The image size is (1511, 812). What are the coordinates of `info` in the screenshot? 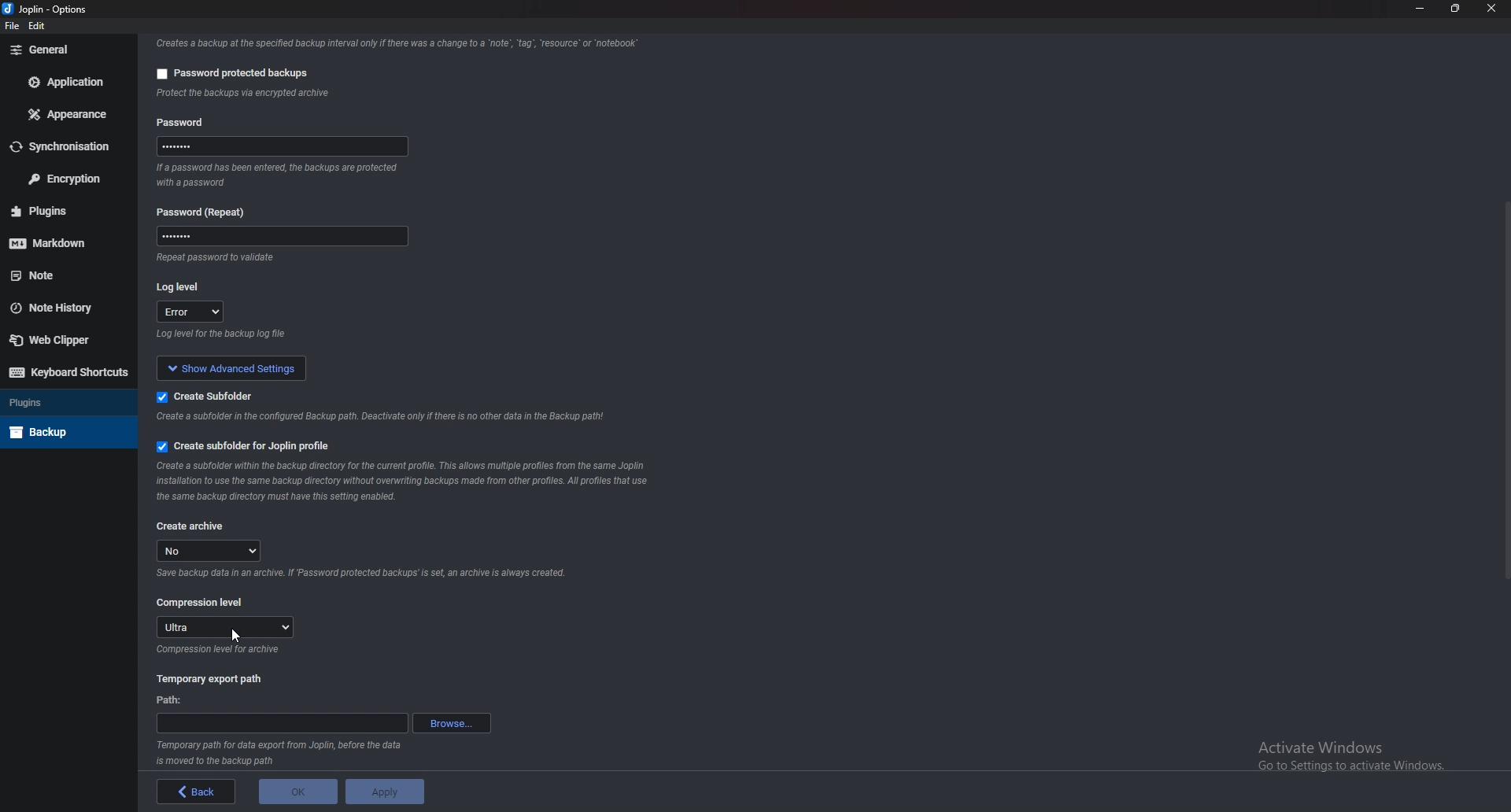 It's located at (281, 336).